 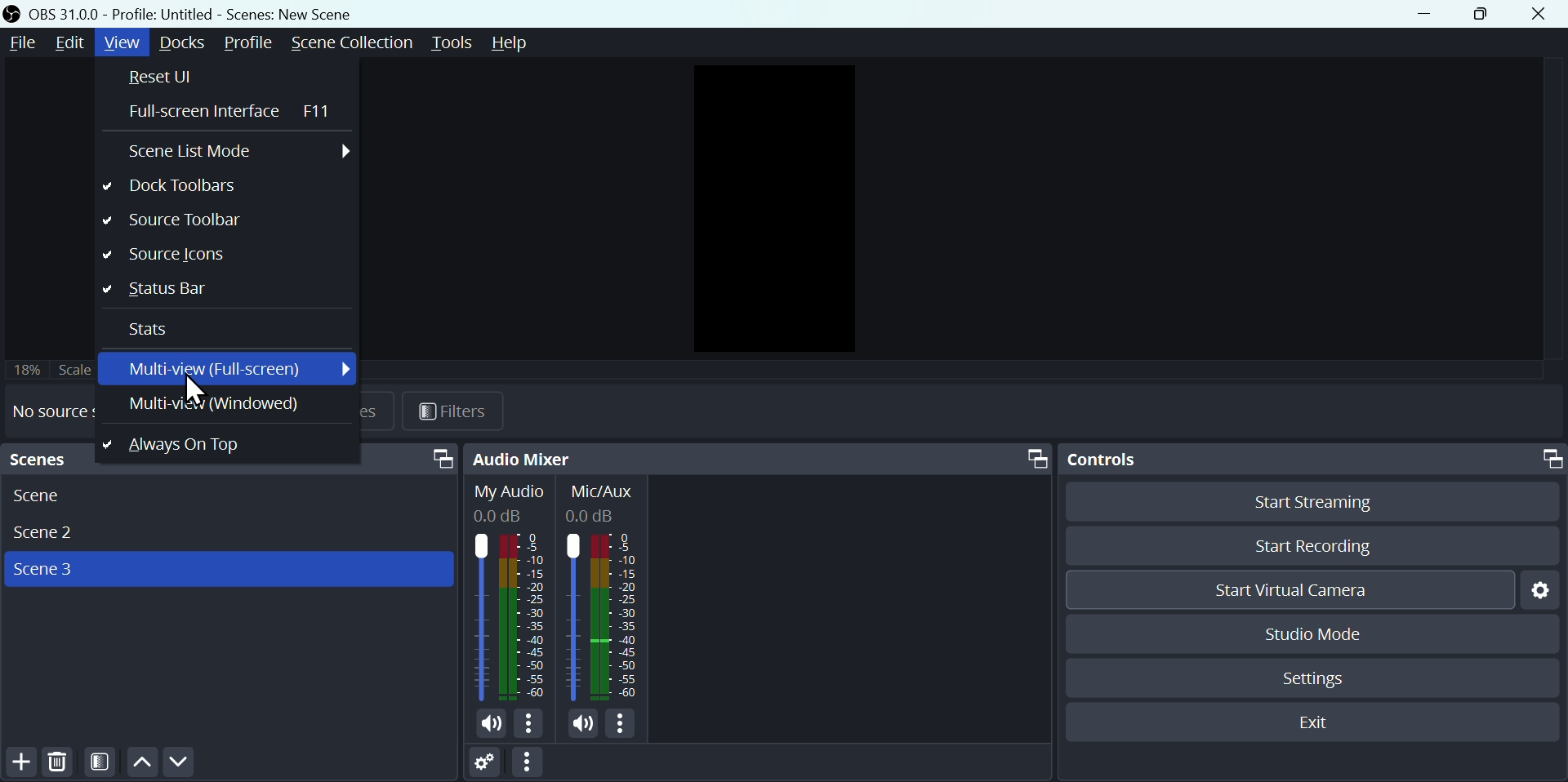 I want to click on Reset UI, so click(x=225, y=77).